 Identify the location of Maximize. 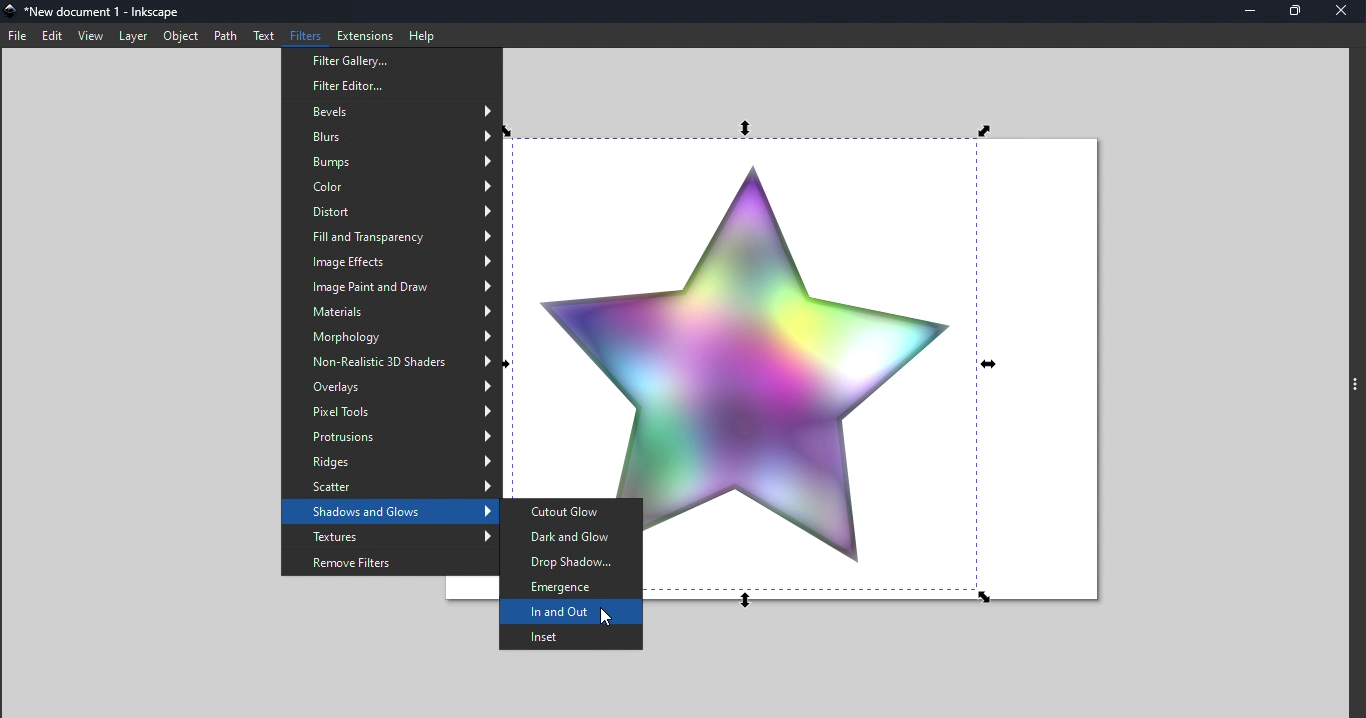
(1293, 12).